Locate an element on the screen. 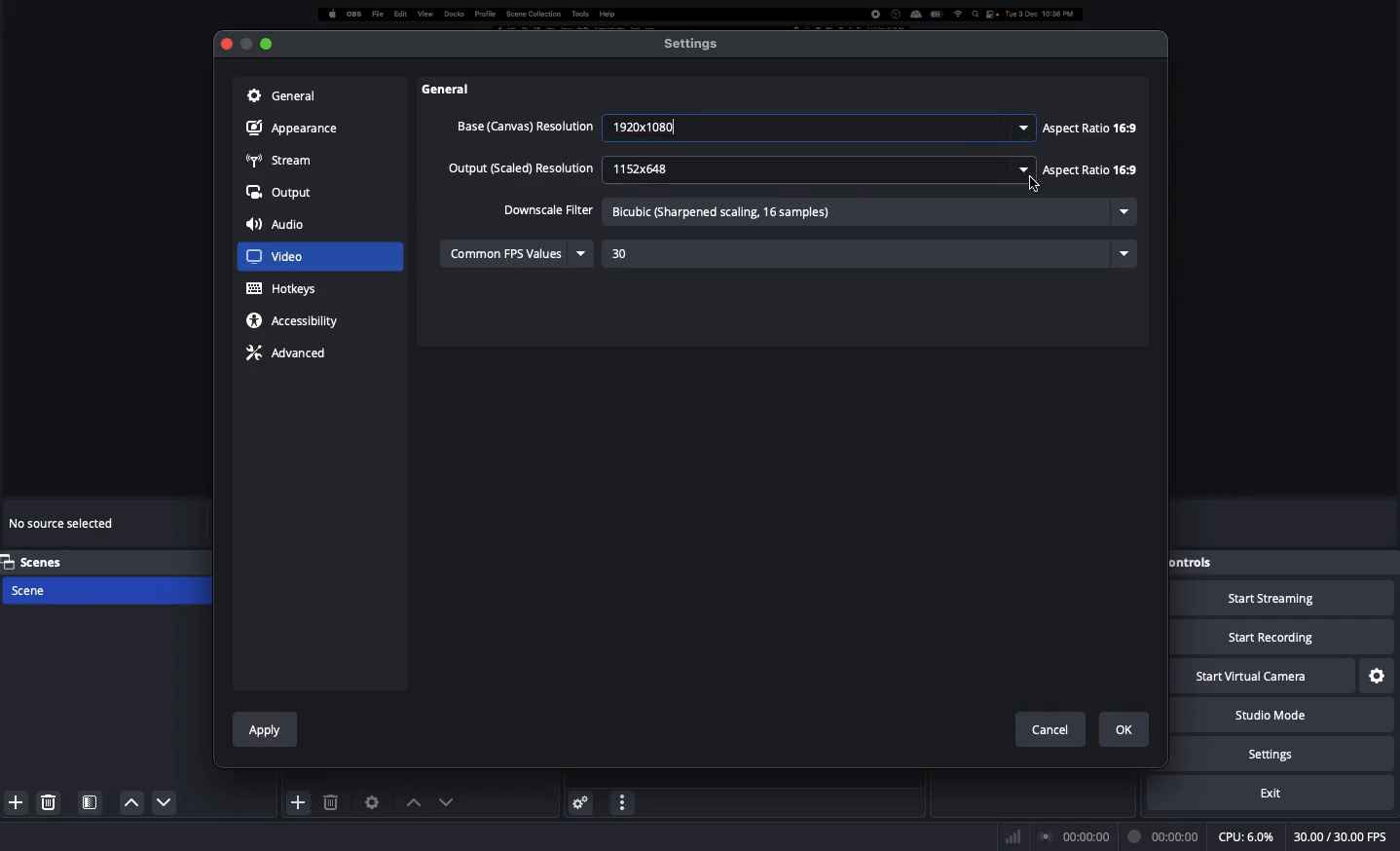  Ok is located at coordinates (1125, 729).